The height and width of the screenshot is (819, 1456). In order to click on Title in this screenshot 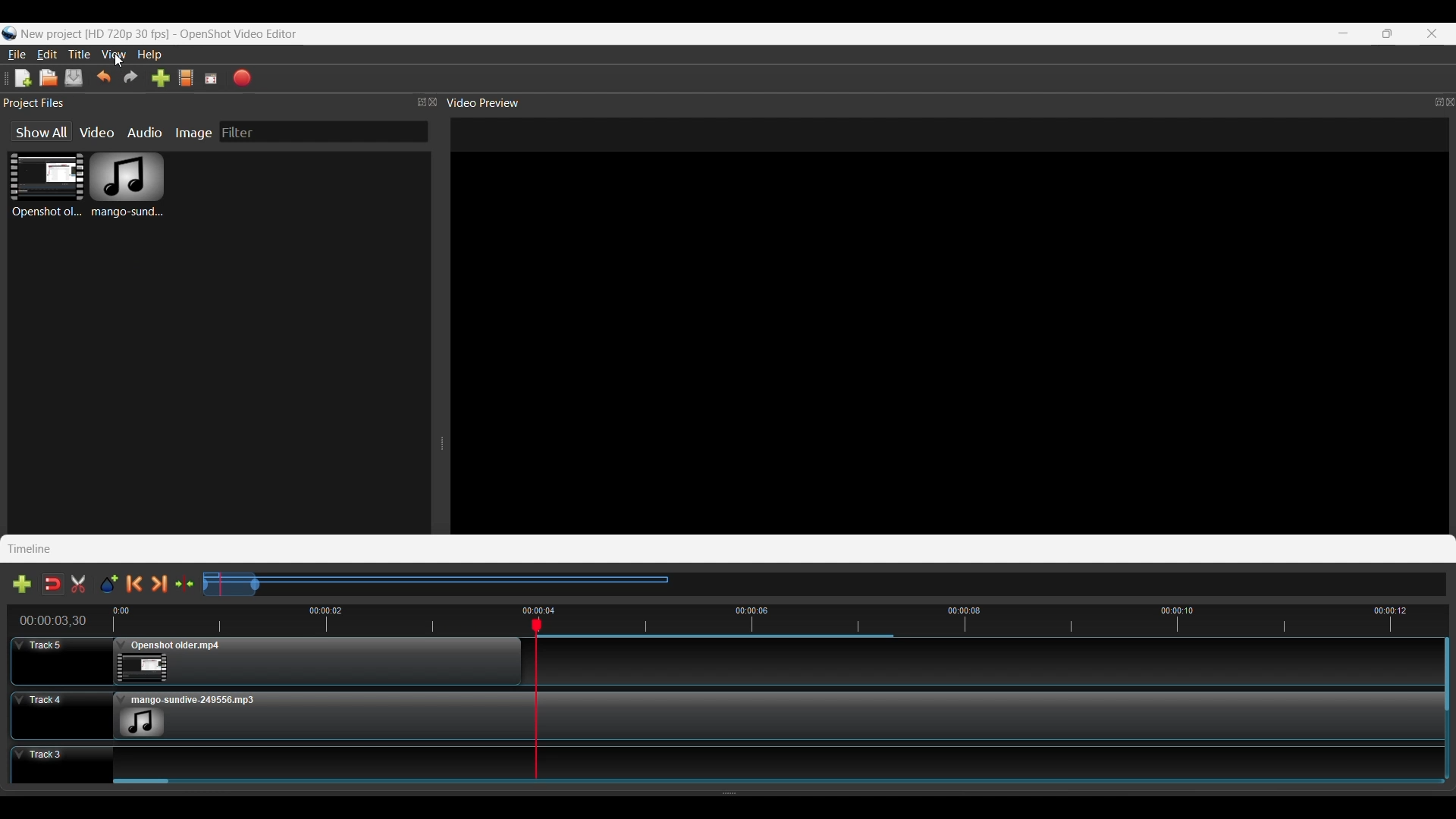, I will do `click(80, 54)`.